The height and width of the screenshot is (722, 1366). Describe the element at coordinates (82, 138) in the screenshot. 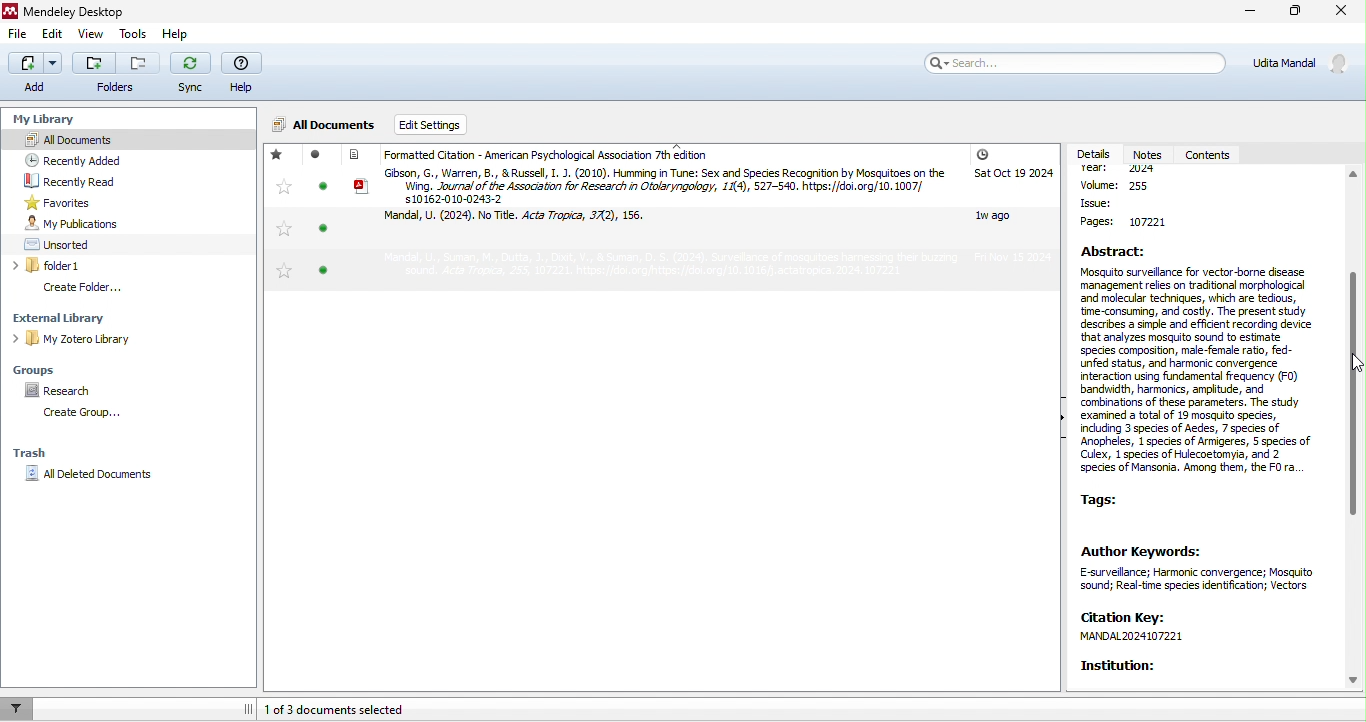

I see `all documents` at that location.